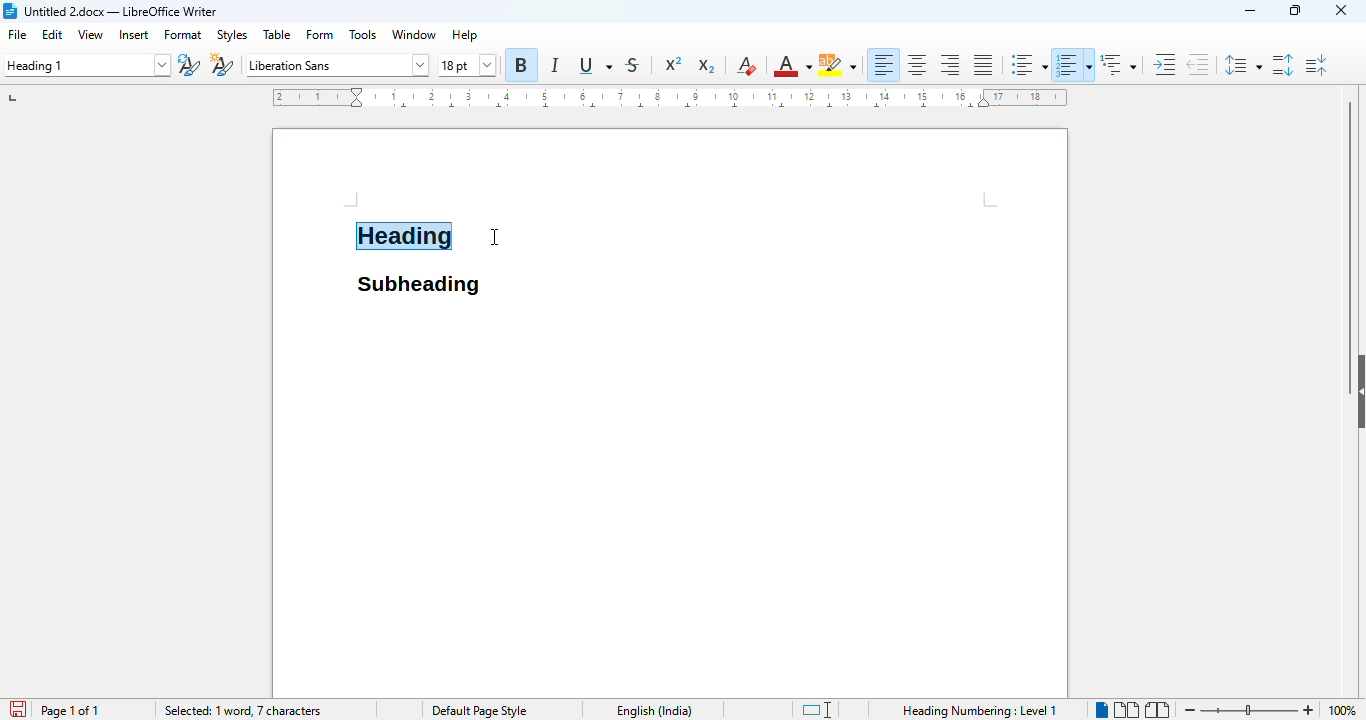 The height and width of the screenshot is (720, 1366). Describe the element at coordinates (779, 215) in the screenshot. I see `Document` at that location.